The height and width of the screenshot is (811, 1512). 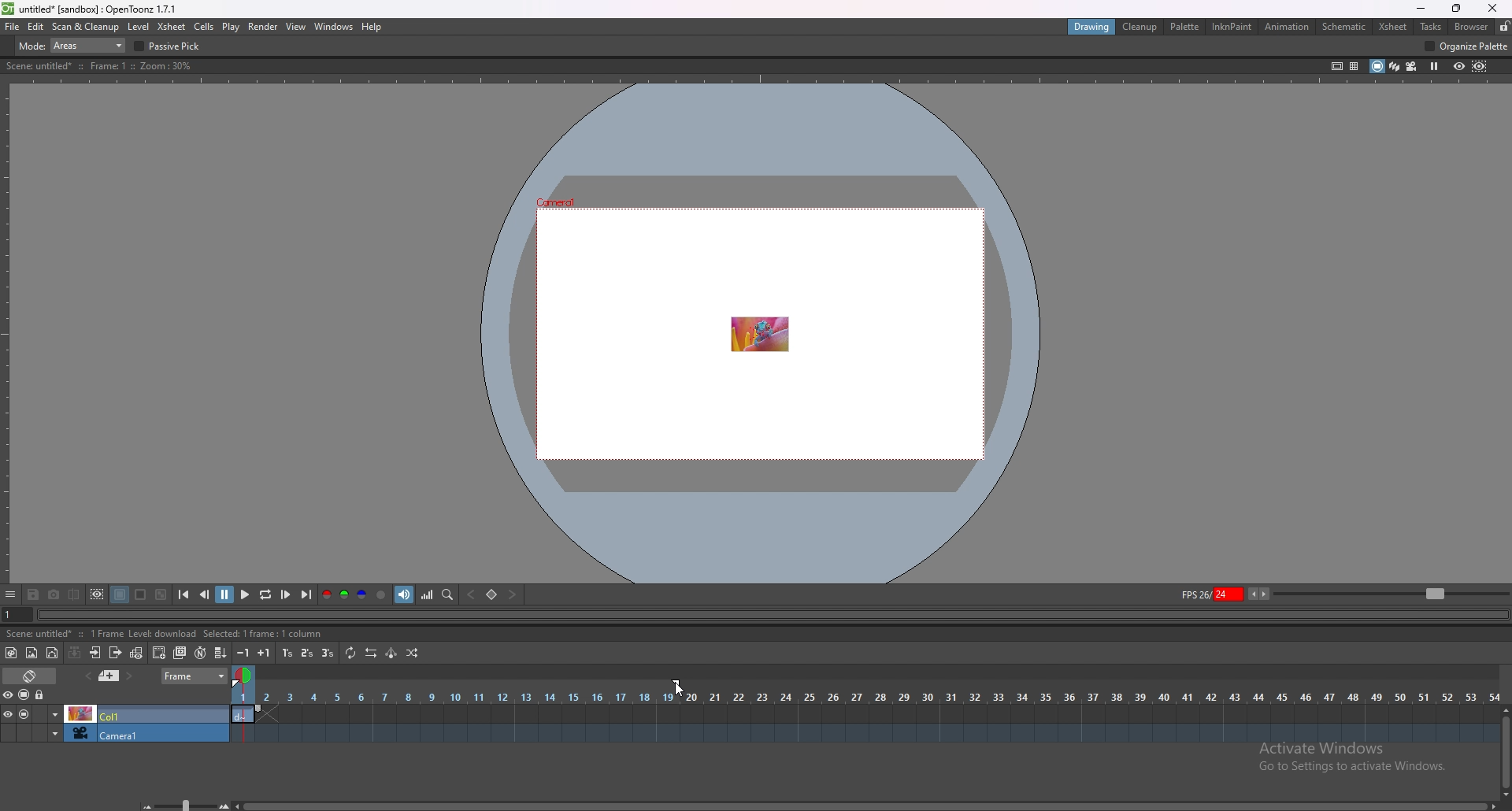 What do you see at coordinates (404, 594) in the screenshot?
I see `soundtrack` at bounding box center [404, 594].